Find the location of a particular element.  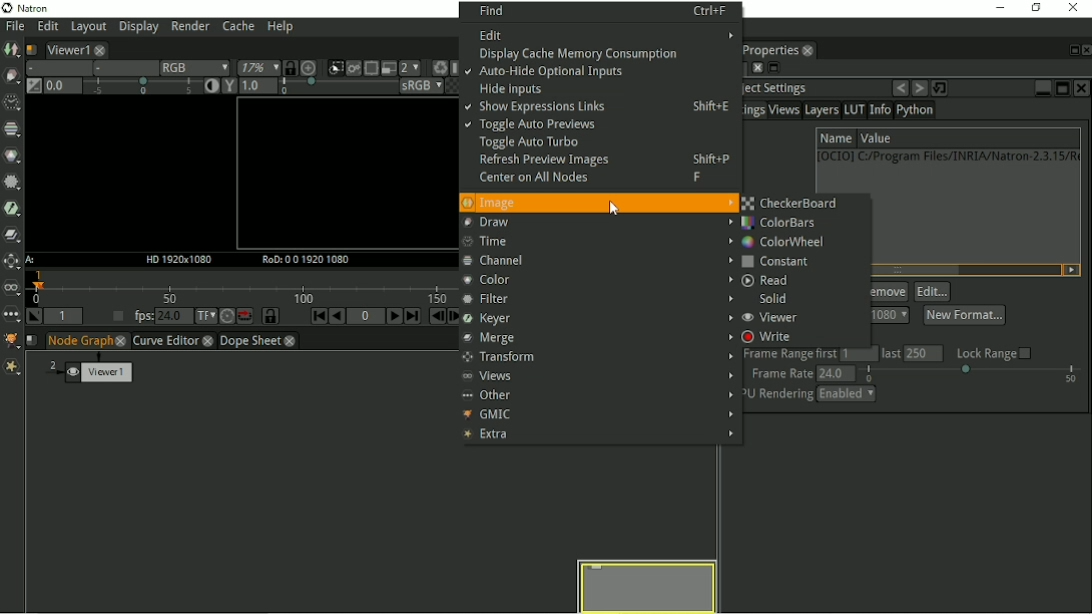

HD is located at coordinates (174, 259).